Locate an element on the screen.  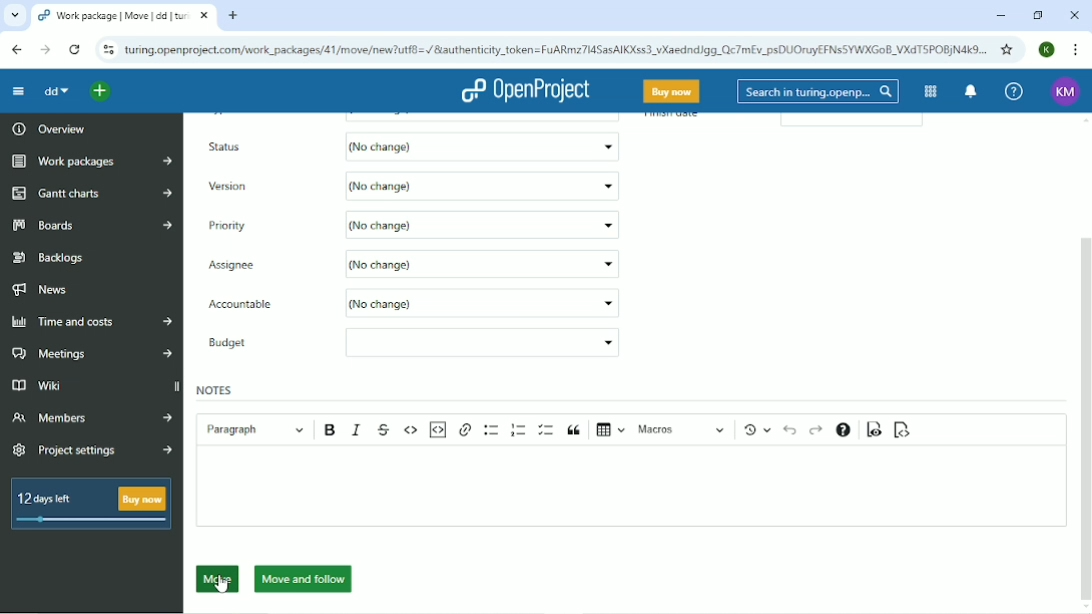
Empty box is located at coordinates (492, 346).